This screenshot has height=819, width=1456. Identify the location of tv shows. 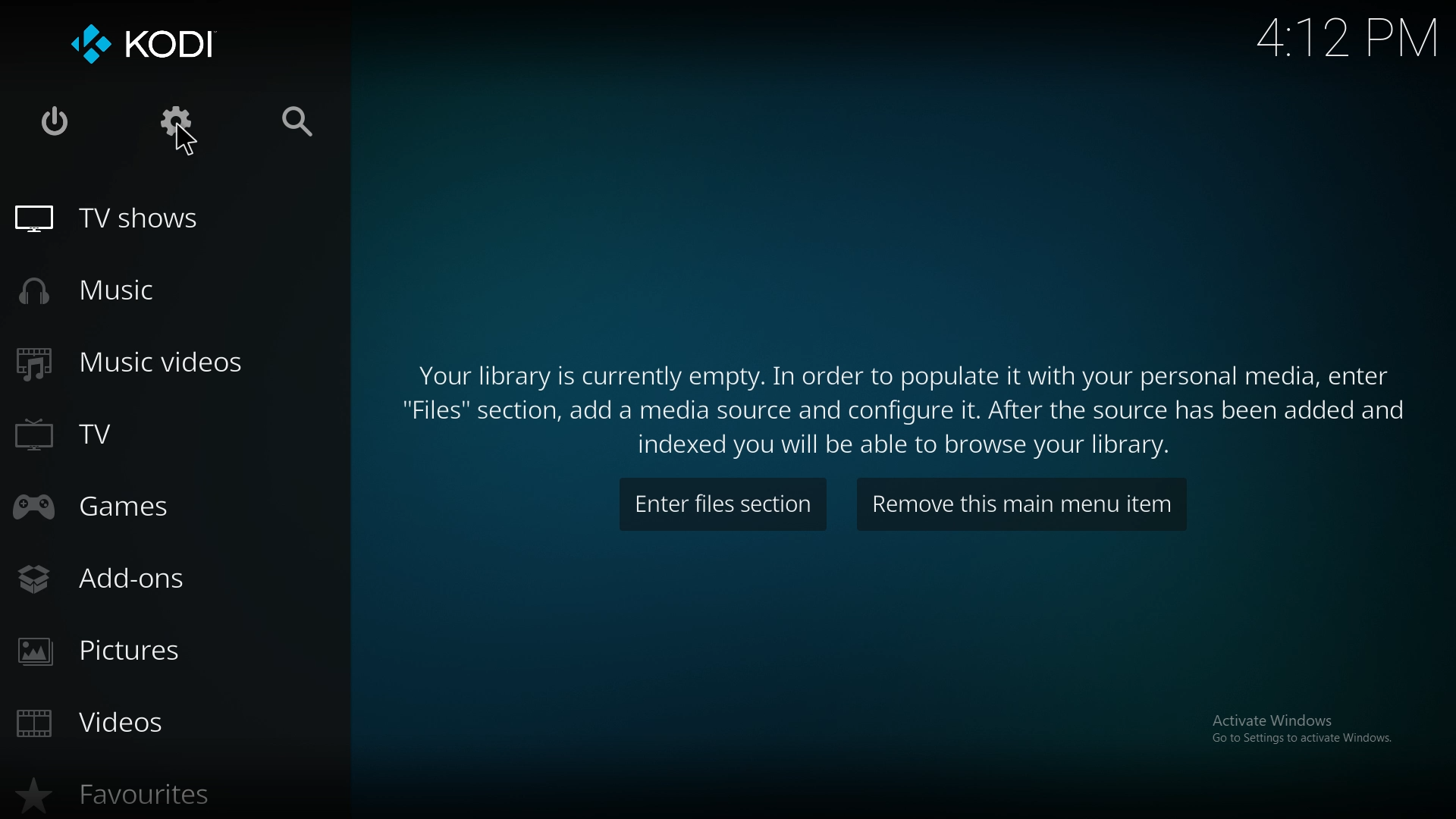
(118, 217).